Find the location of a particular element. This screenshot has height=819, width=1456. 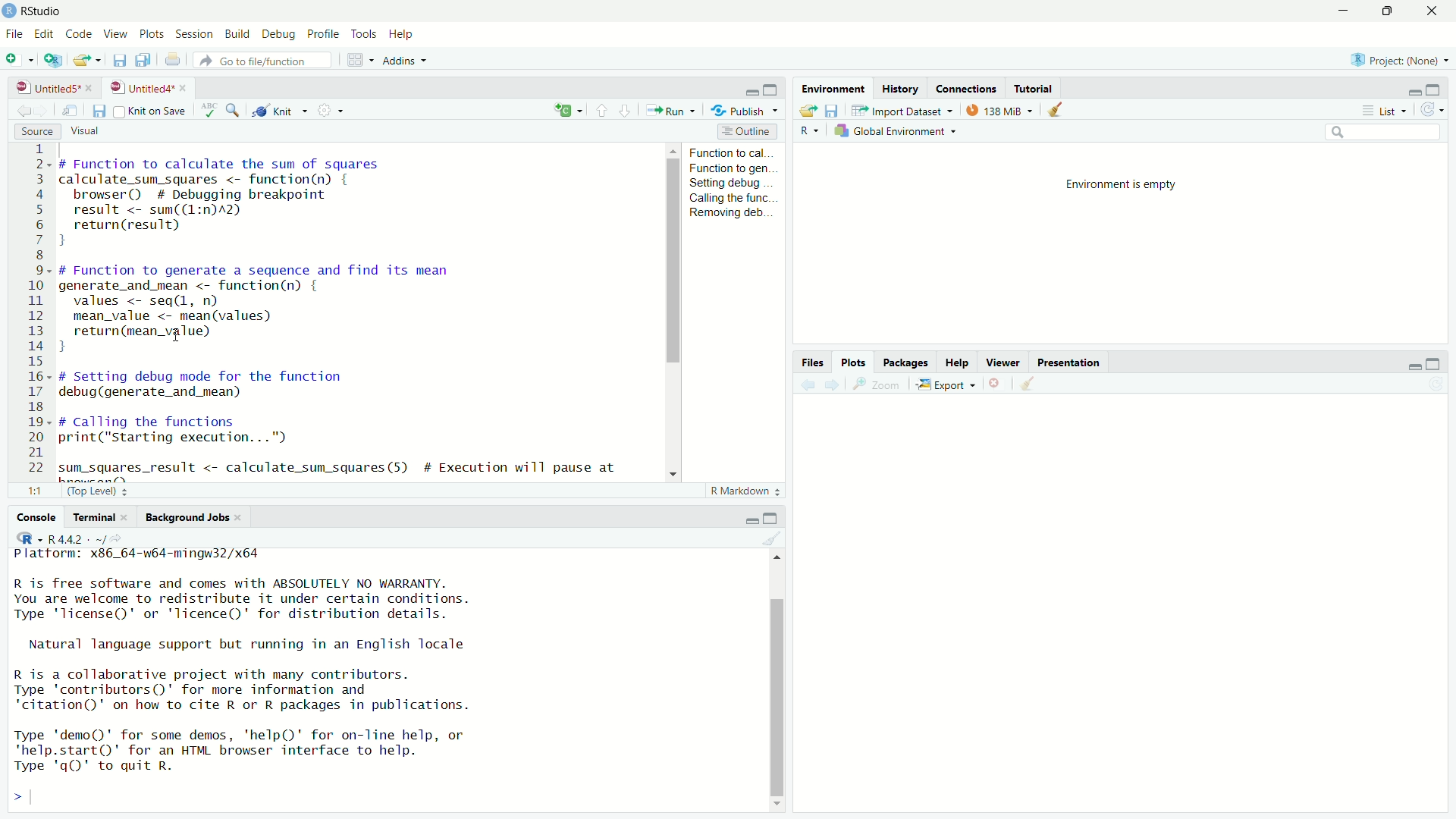

go to next section/chunk is located at coordinates (623, 111).